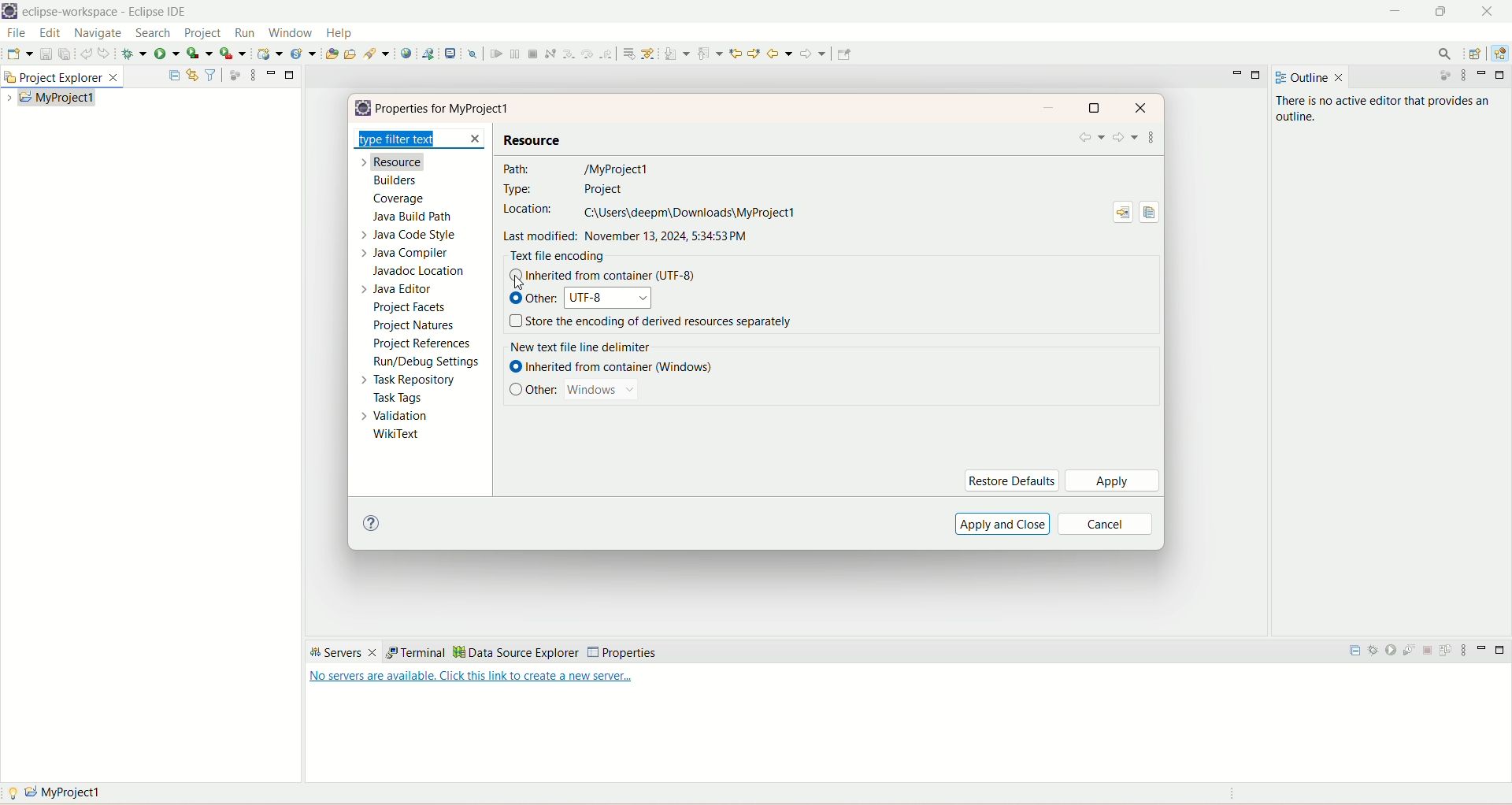  Describe the element at coordinates (1123, 214) in the screenshot. I see `show in system explorer` at that location.